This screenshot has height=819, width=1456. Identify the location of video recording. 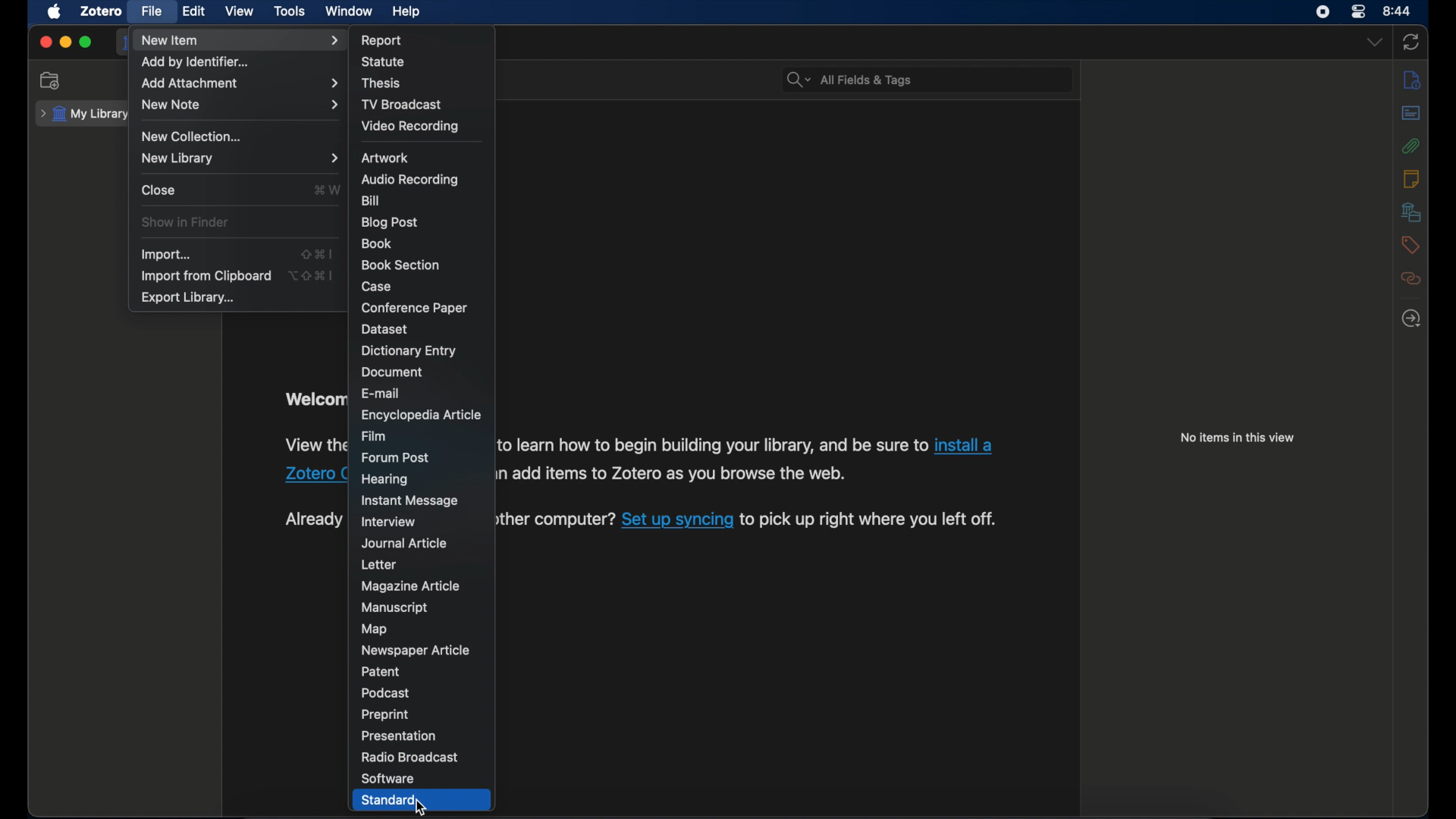
(409, 126).